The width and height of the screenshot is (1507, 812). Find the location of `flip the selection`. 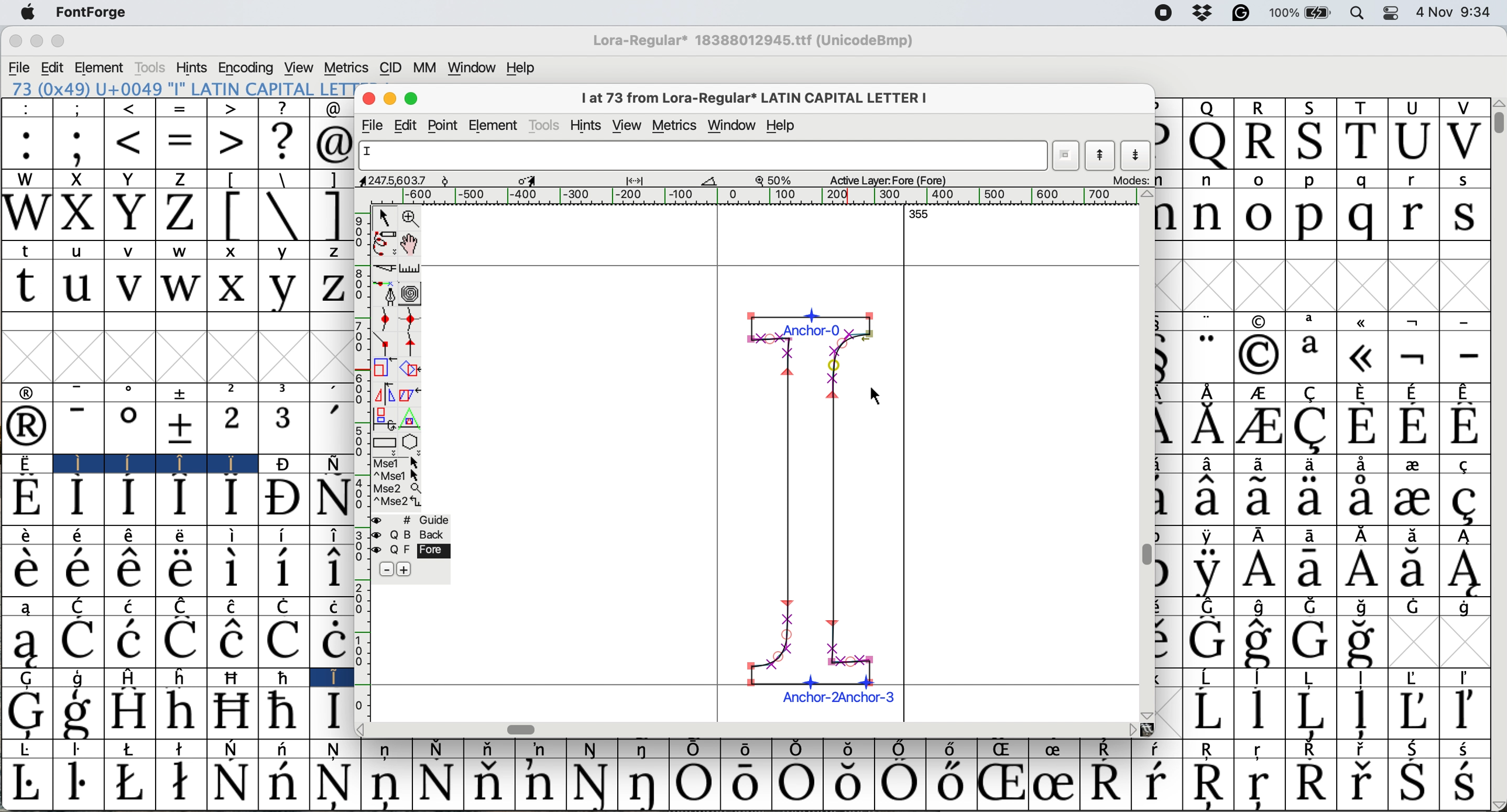

flip the selection is located at coordinates (383, 393).